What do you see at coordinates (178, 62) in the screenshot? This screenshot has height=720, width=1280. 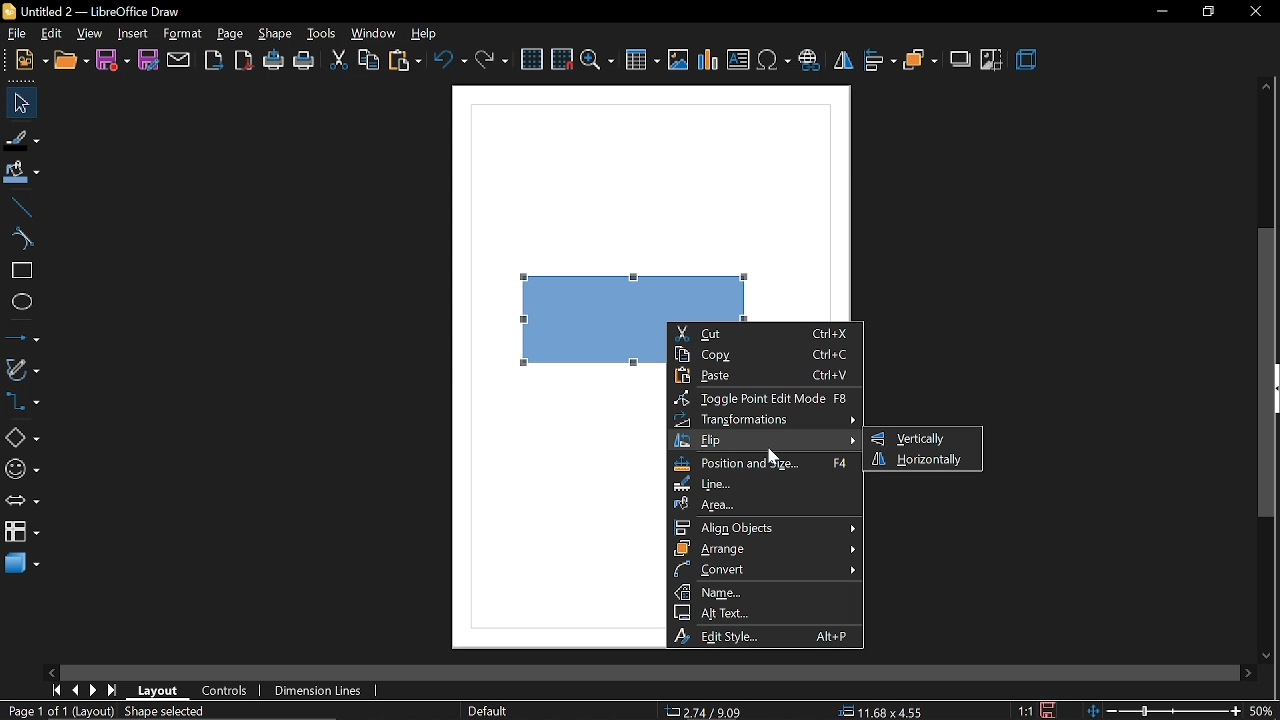 I see `attach` at bounding box center [178, 62].